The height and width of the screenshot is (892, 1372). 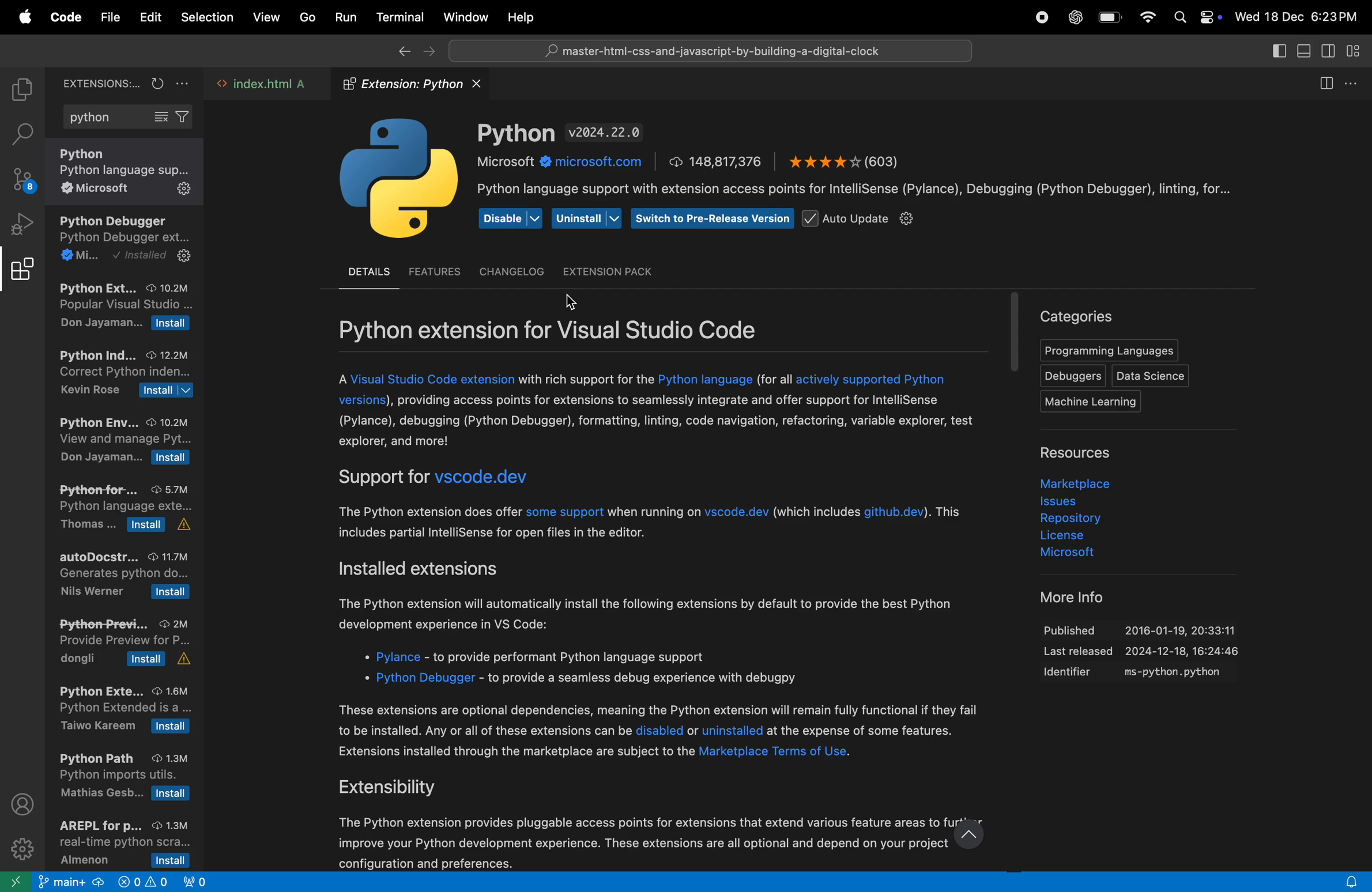 What do you see at coordinates (141, 883) in the screenshot?
I see `no problems` at bounding box center [141, 883].